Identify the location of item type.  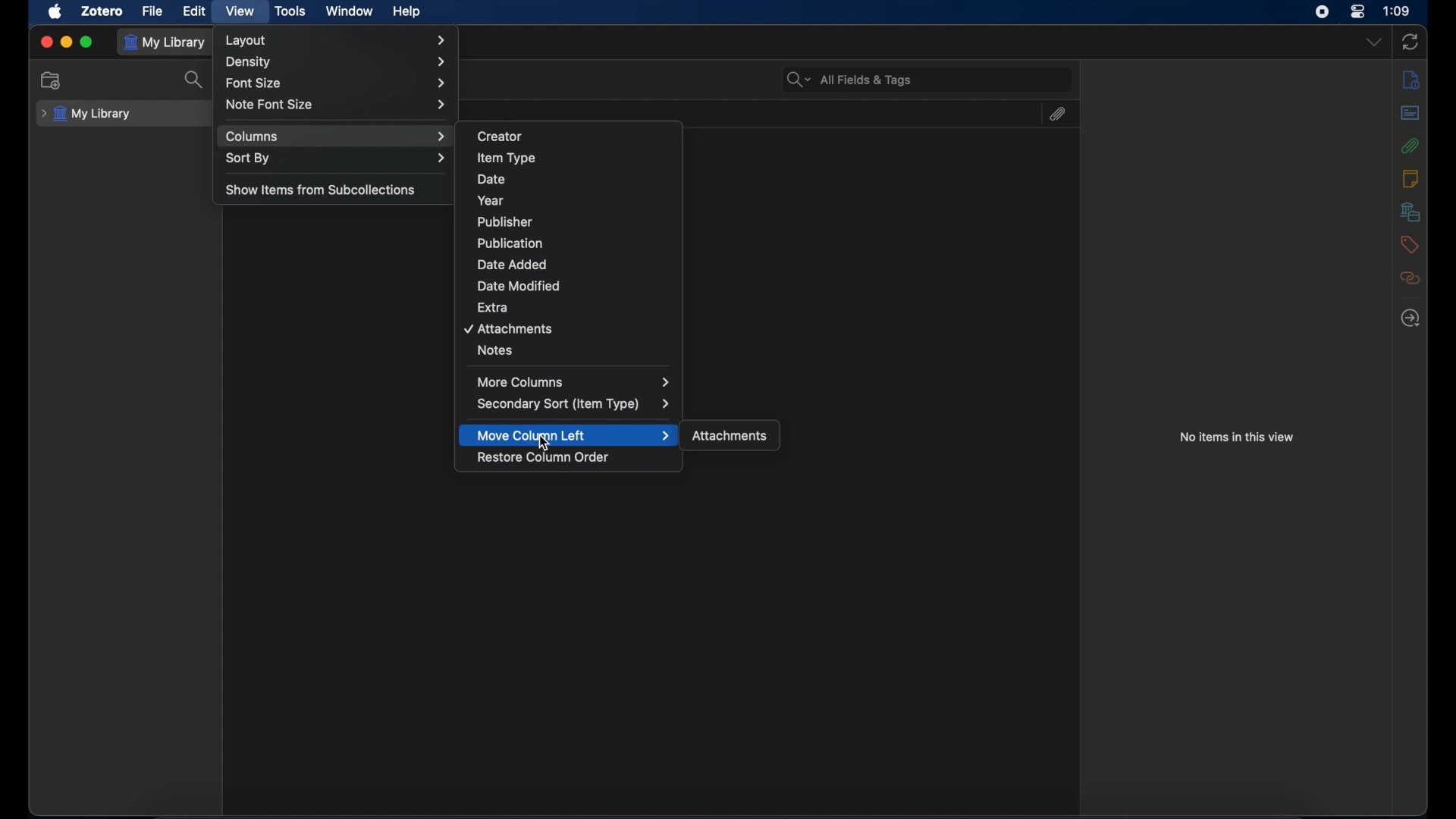
(507, 158).